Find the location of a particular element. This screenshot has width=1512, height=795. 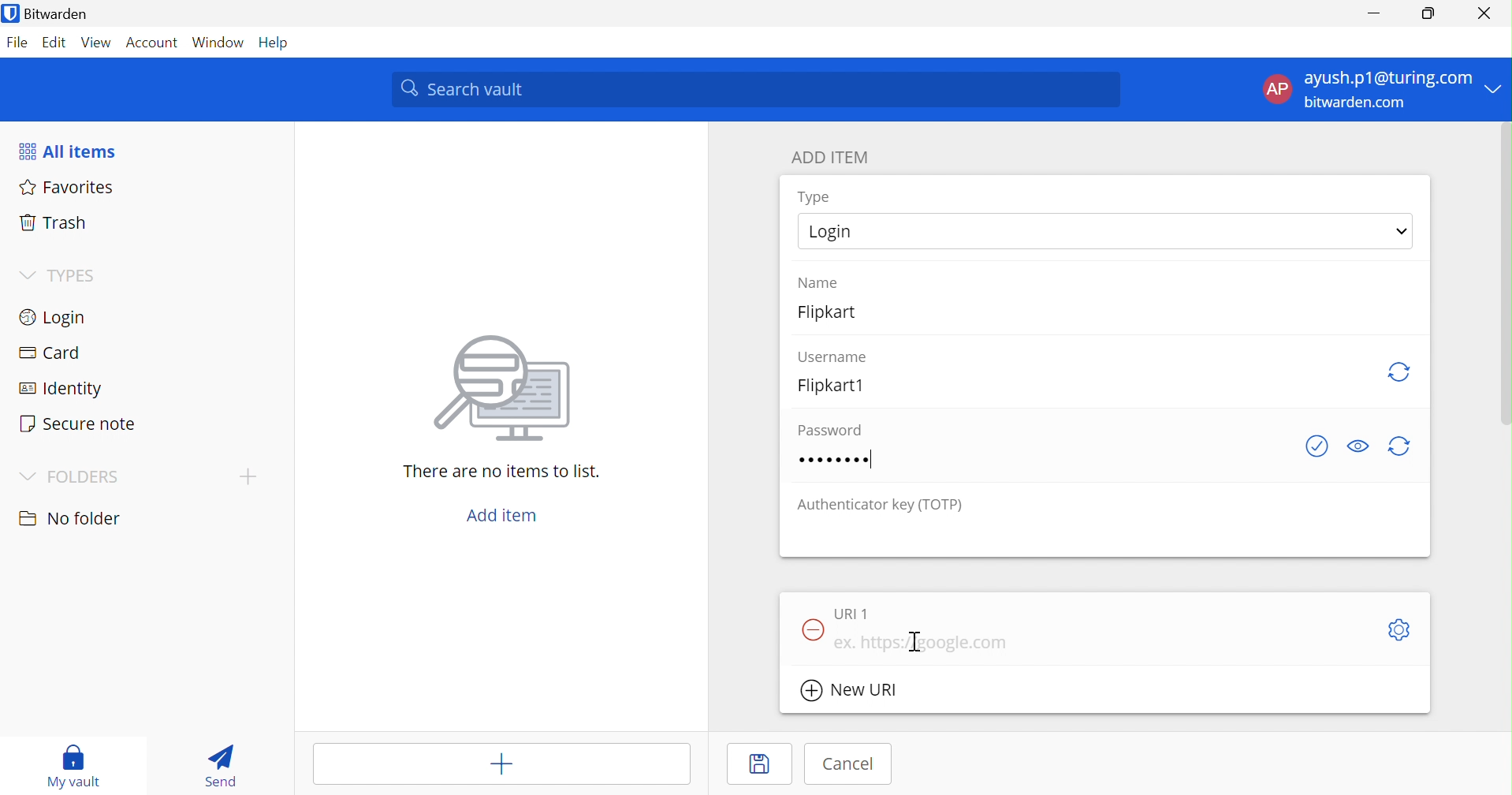

No folder is located at coordinates (73, 519).